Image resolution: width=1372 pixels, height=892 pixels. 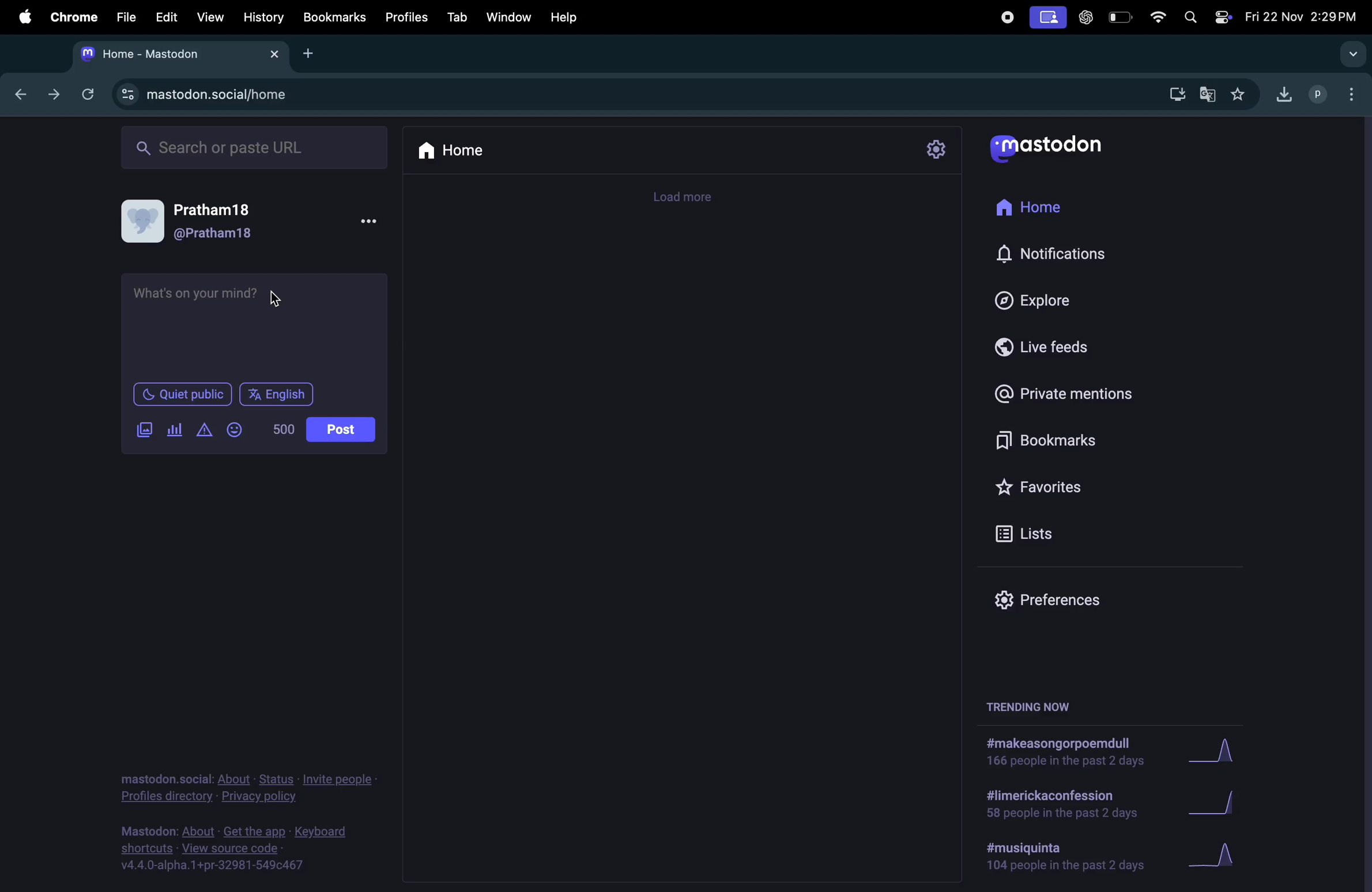 What do you see at coordinates (1036, 705) in the screenshot?
I see `trending now` at bounding box center [1036, 705].